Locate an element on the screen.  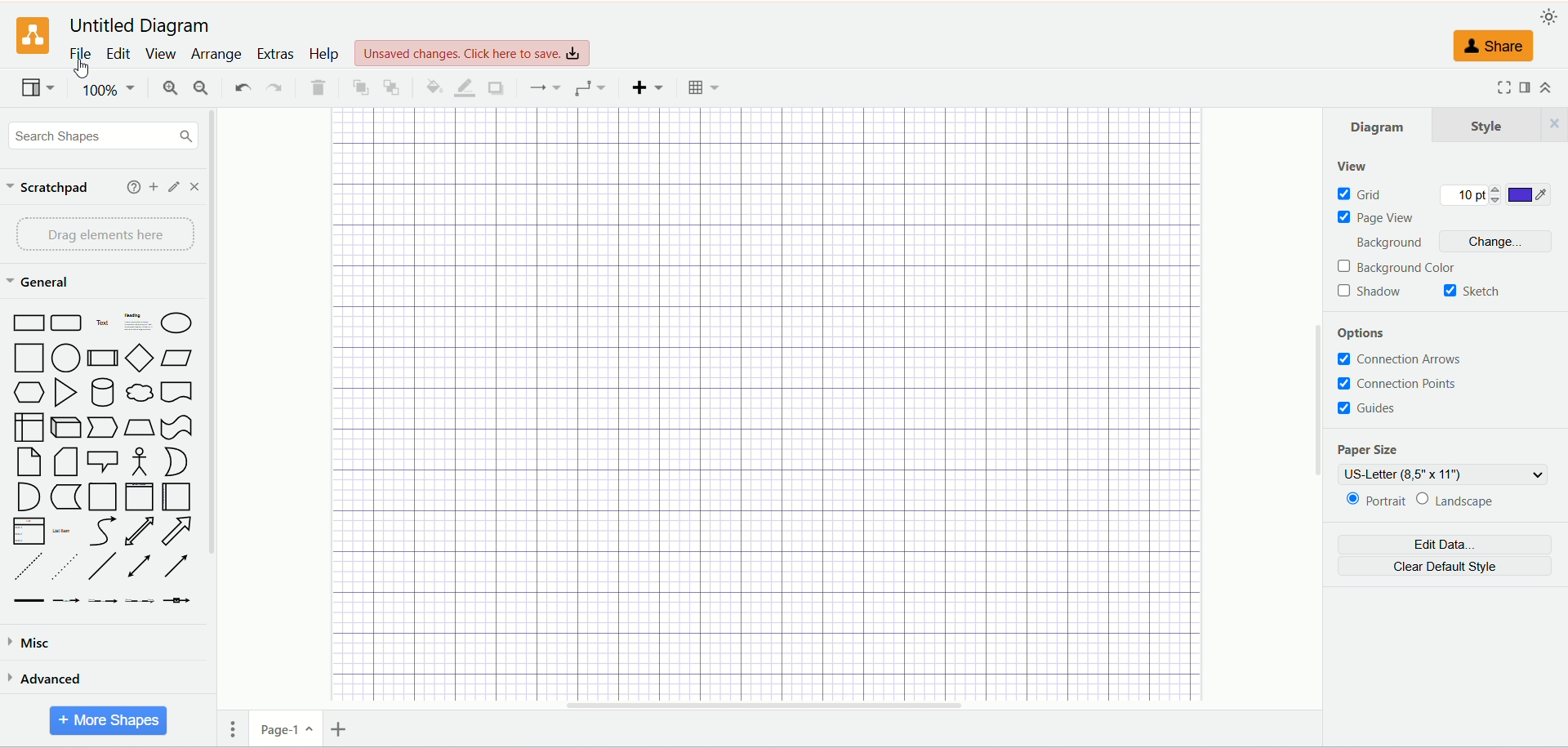
Cylinder is located at coordinates (104, 394).